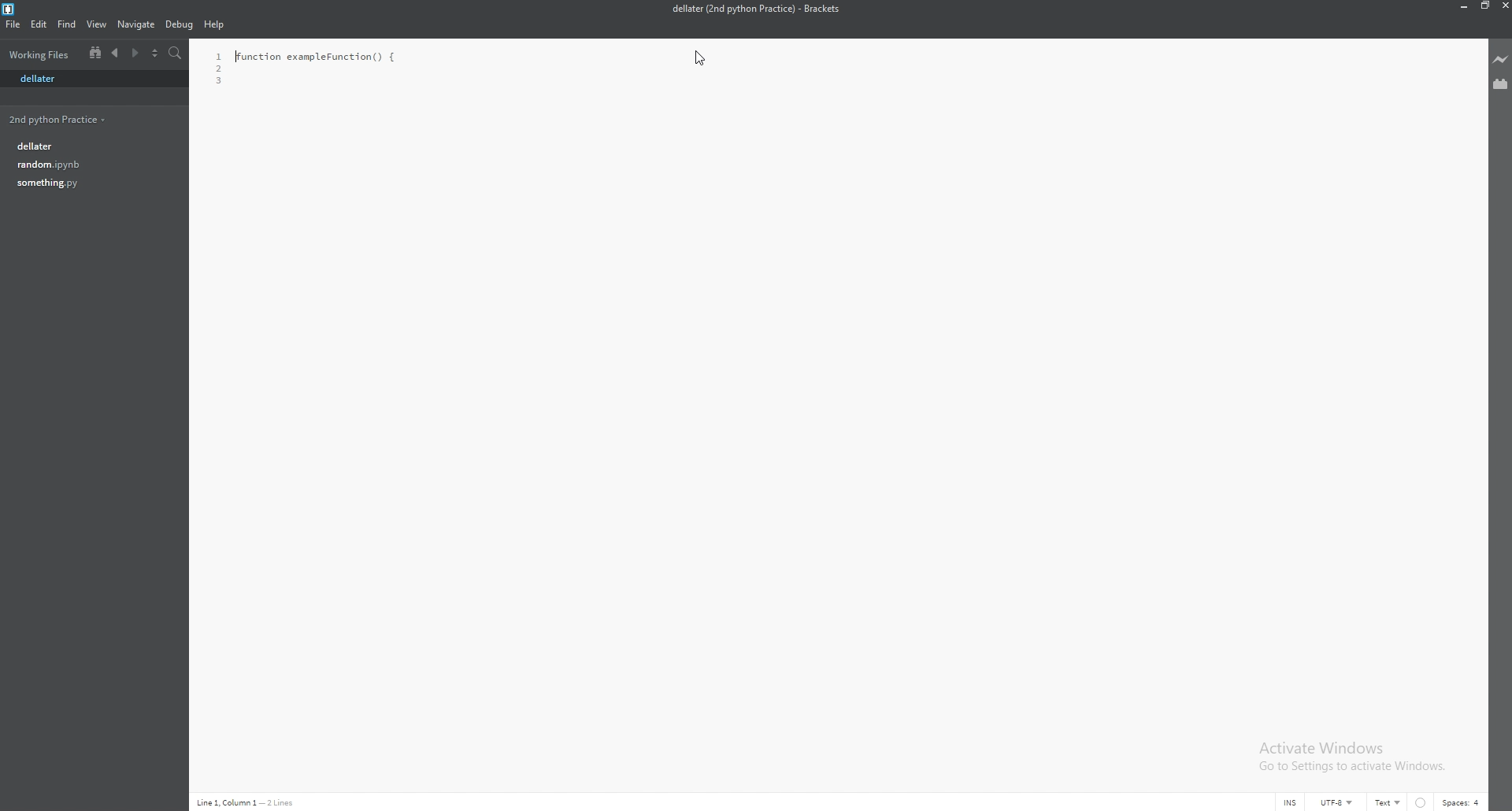 The height and width of the screenshot is (811, 1512). Describe the element at coordinates (94, 78) in the screenshot. I see `dellater` at that location.